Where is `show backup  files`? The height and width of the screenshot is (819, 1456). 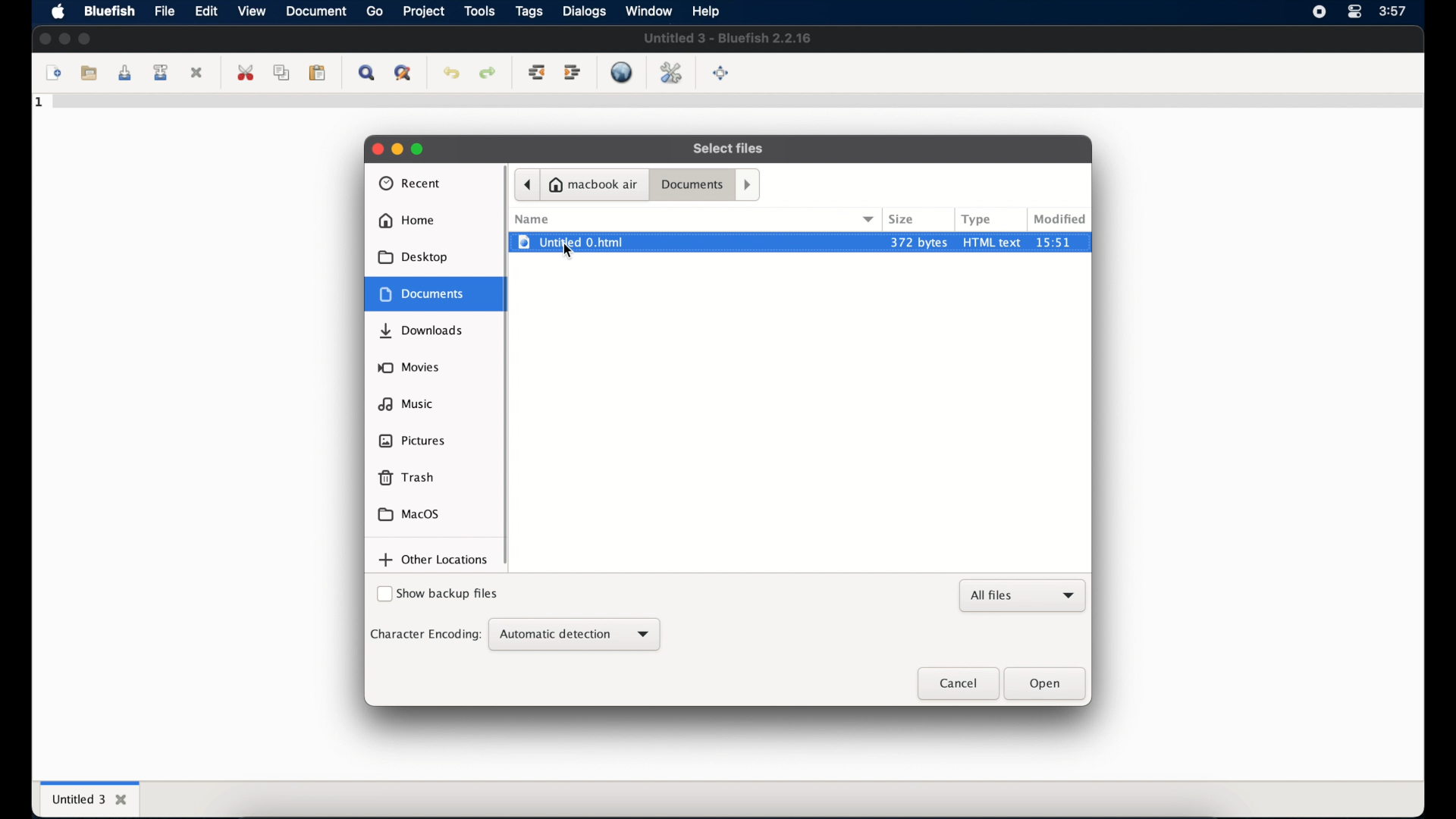 show backup  files is located at coordinates (438, 595).